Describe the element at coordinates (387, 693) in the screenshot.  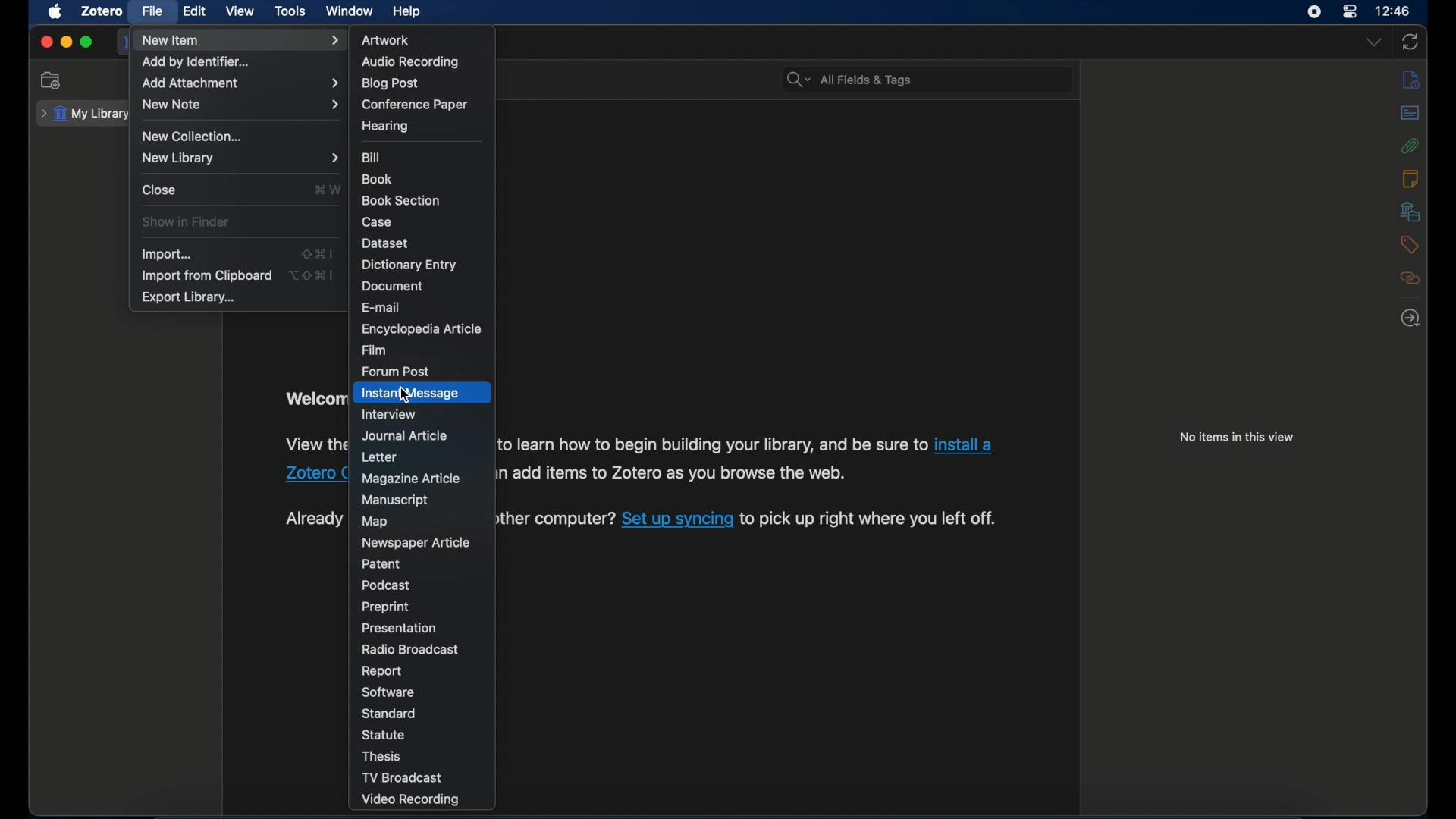
I see `software` at that location.